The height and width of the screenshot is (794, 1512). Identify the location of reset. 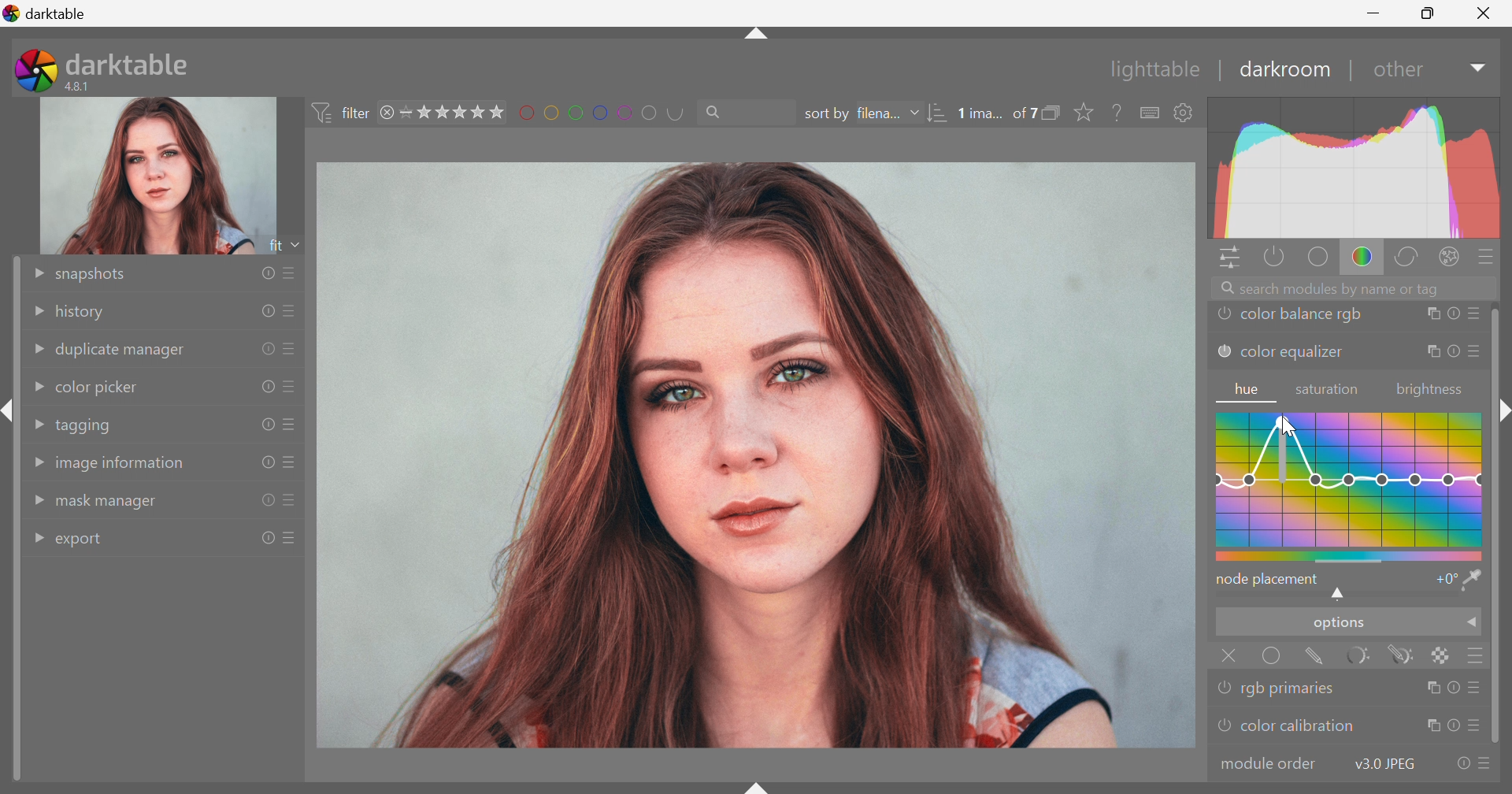
(1452, 352).